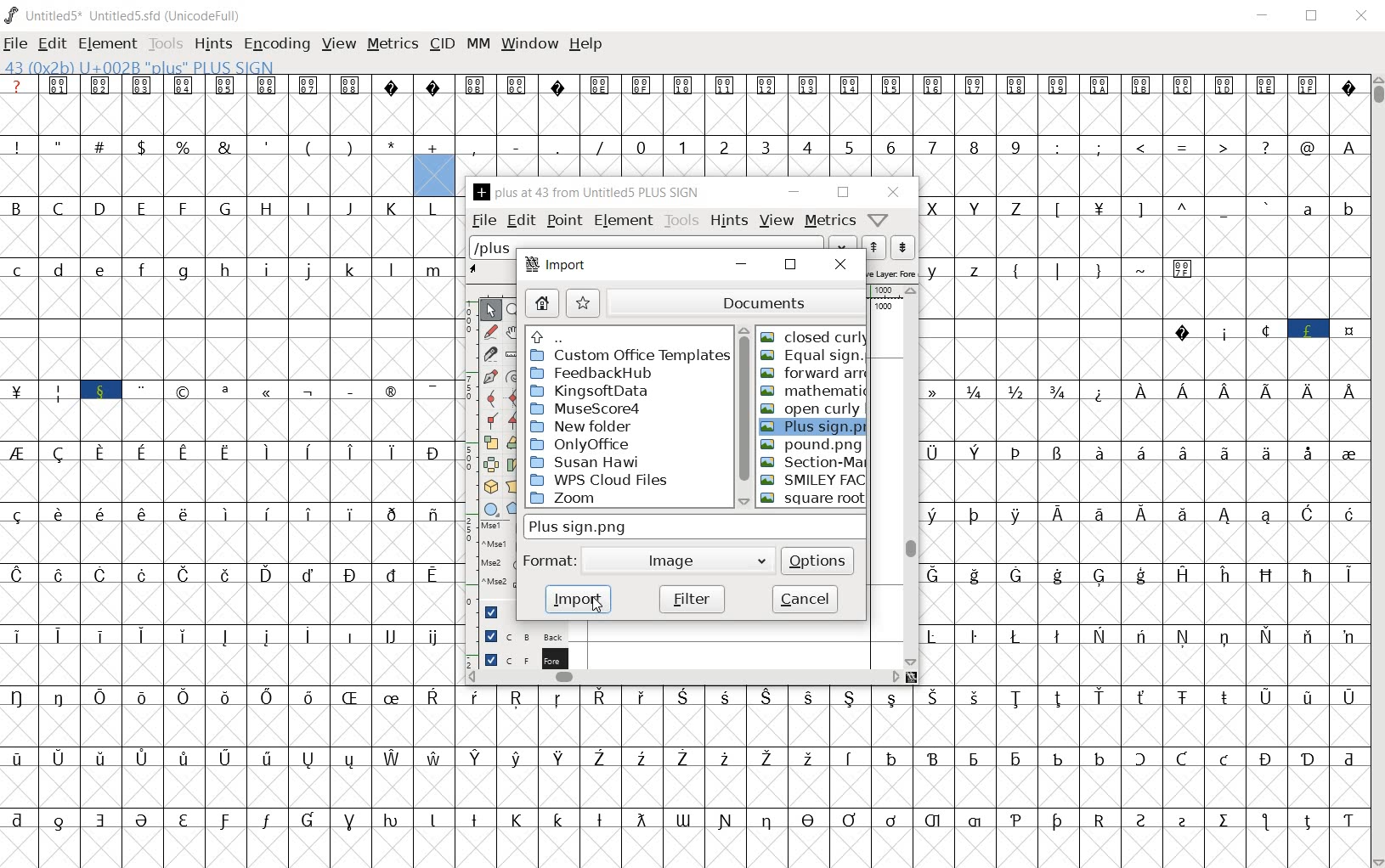 This screenshot has width=1385, height=868. I want to click on CLOSED CURLY, so click(813, 335).